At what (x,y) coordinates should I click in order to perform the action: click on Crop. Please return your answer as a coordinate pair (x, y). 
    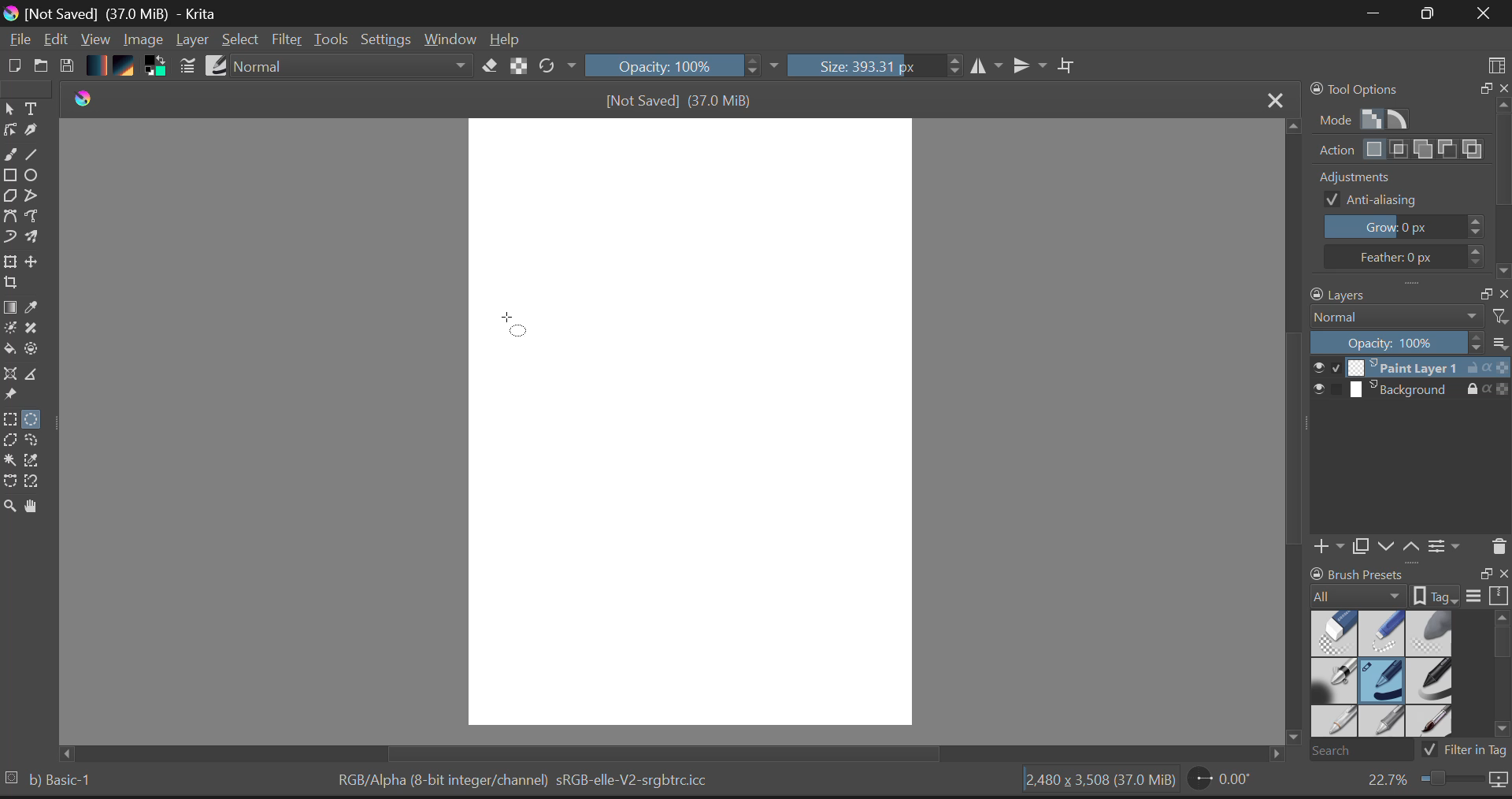
    Looking at the image, I should click on (1067, 66).